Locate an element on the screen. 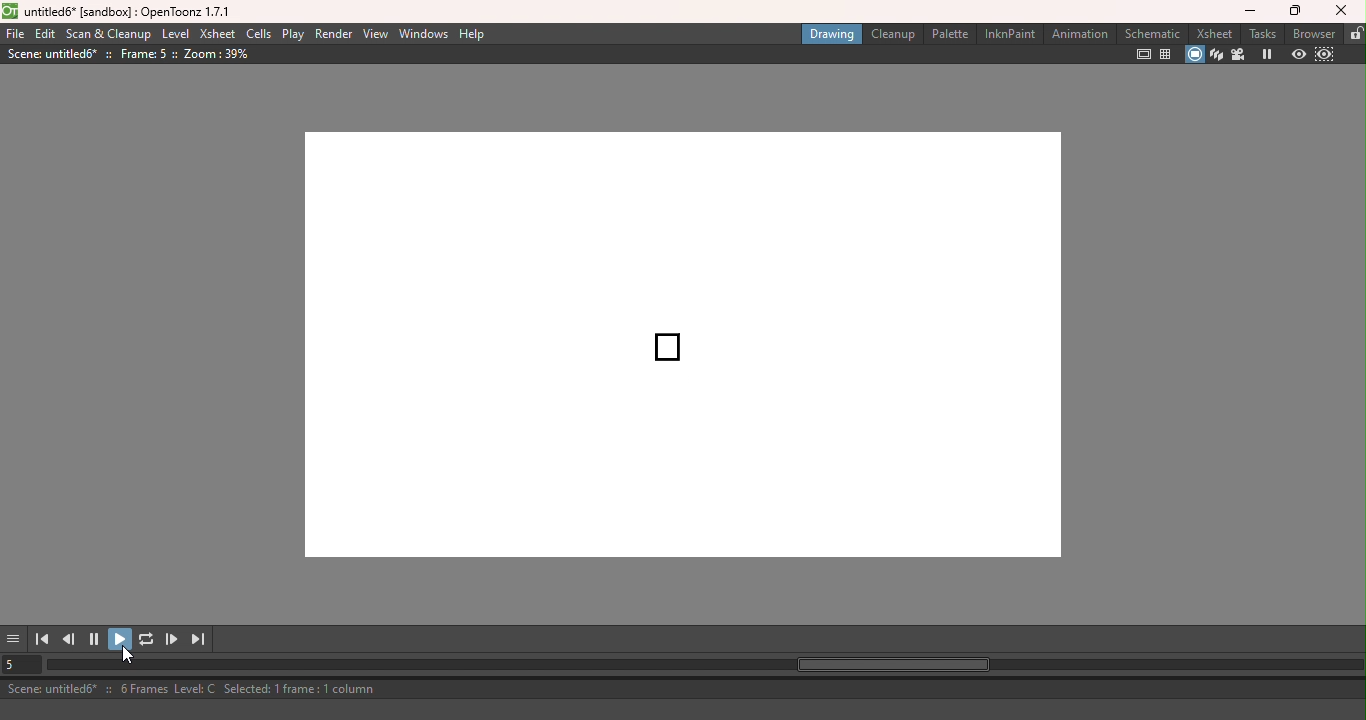 The height and width of the screenshot is (720, 1366). Animation is located at coordinates (1083, 35).